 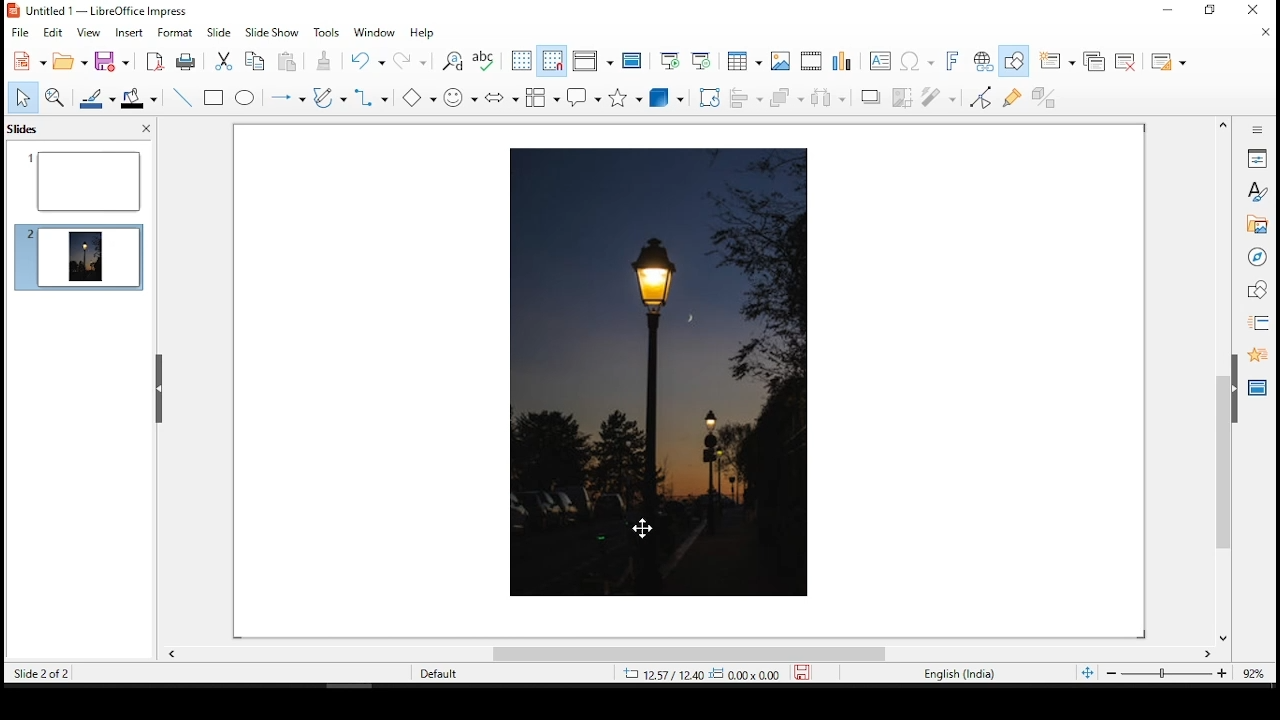 I want to click on toggle point edit mode, so click(x=981, y=100).